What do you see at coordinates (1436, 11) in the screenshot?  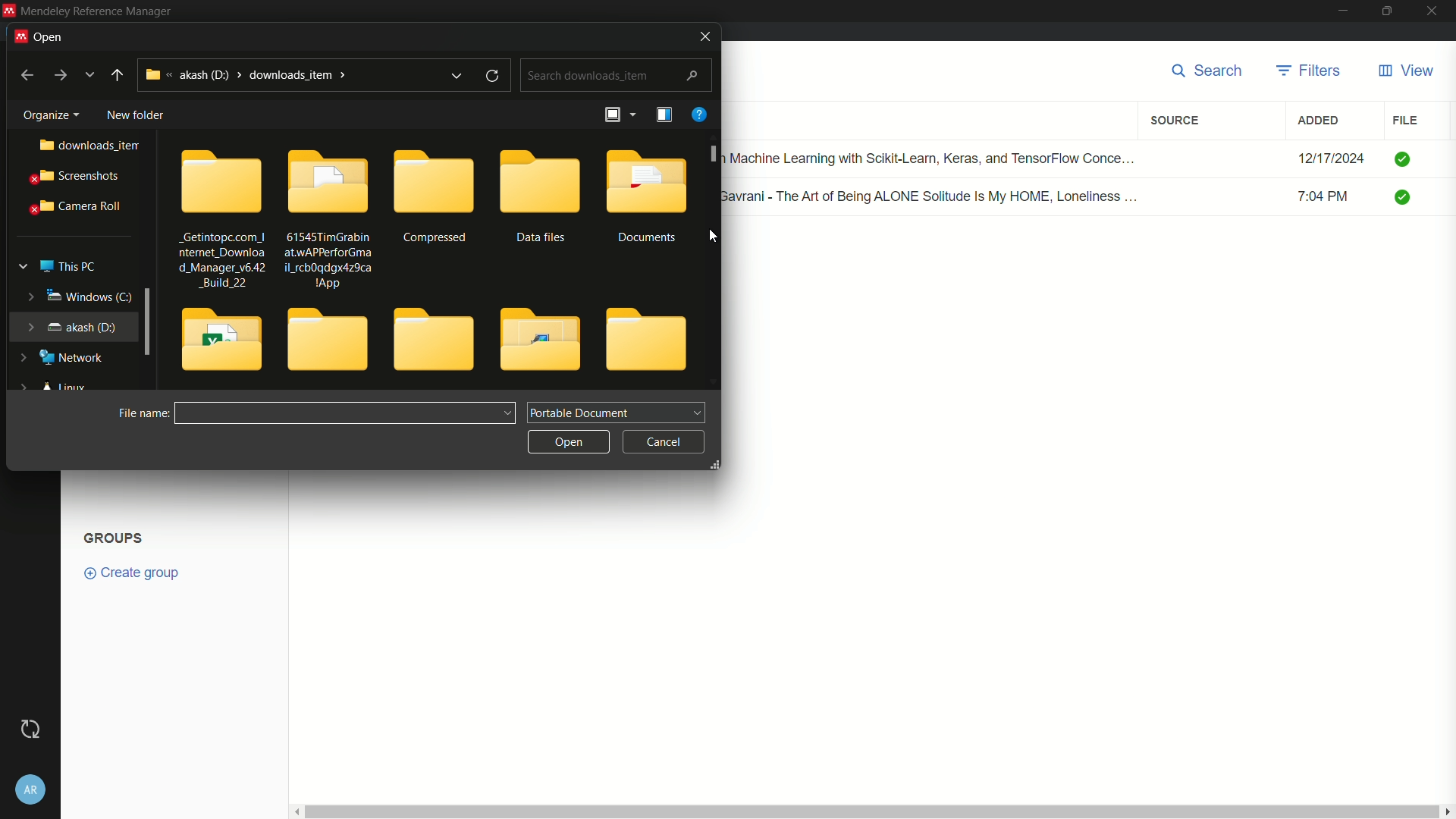 I see `close` at bounding box center [1436, 11].